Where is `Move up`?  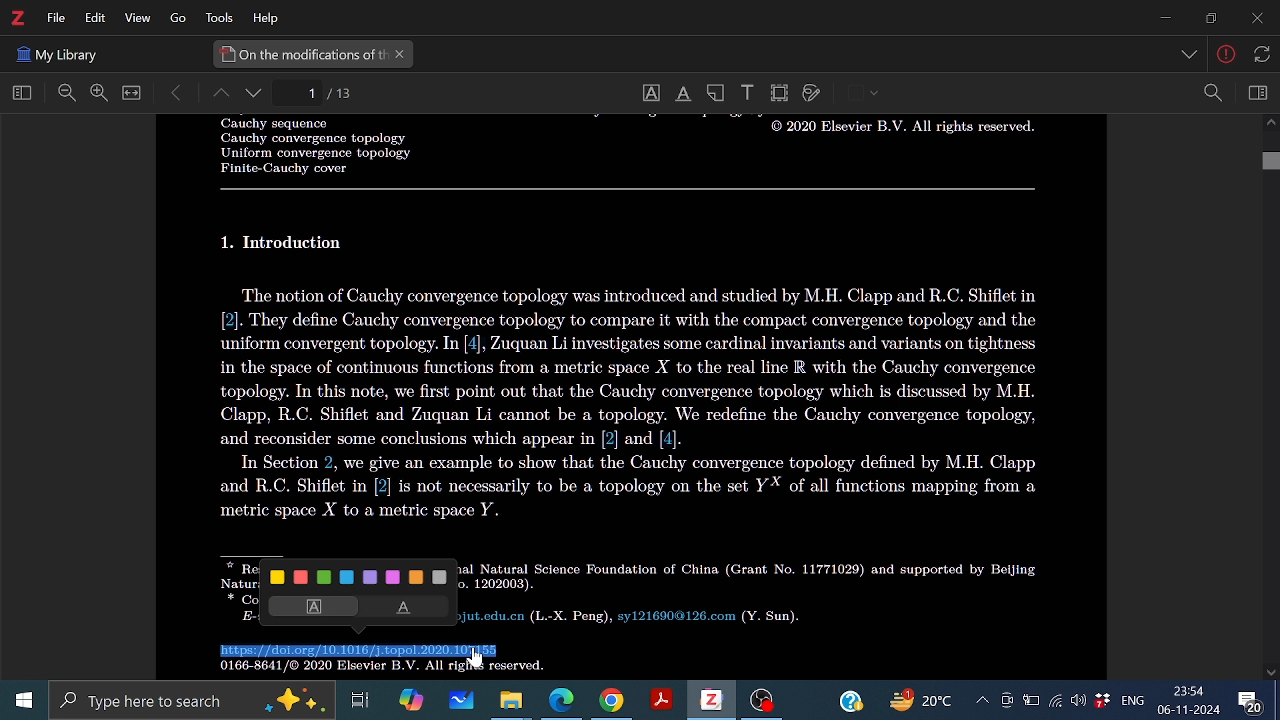 Move up is located at coordinates (1270, 125).